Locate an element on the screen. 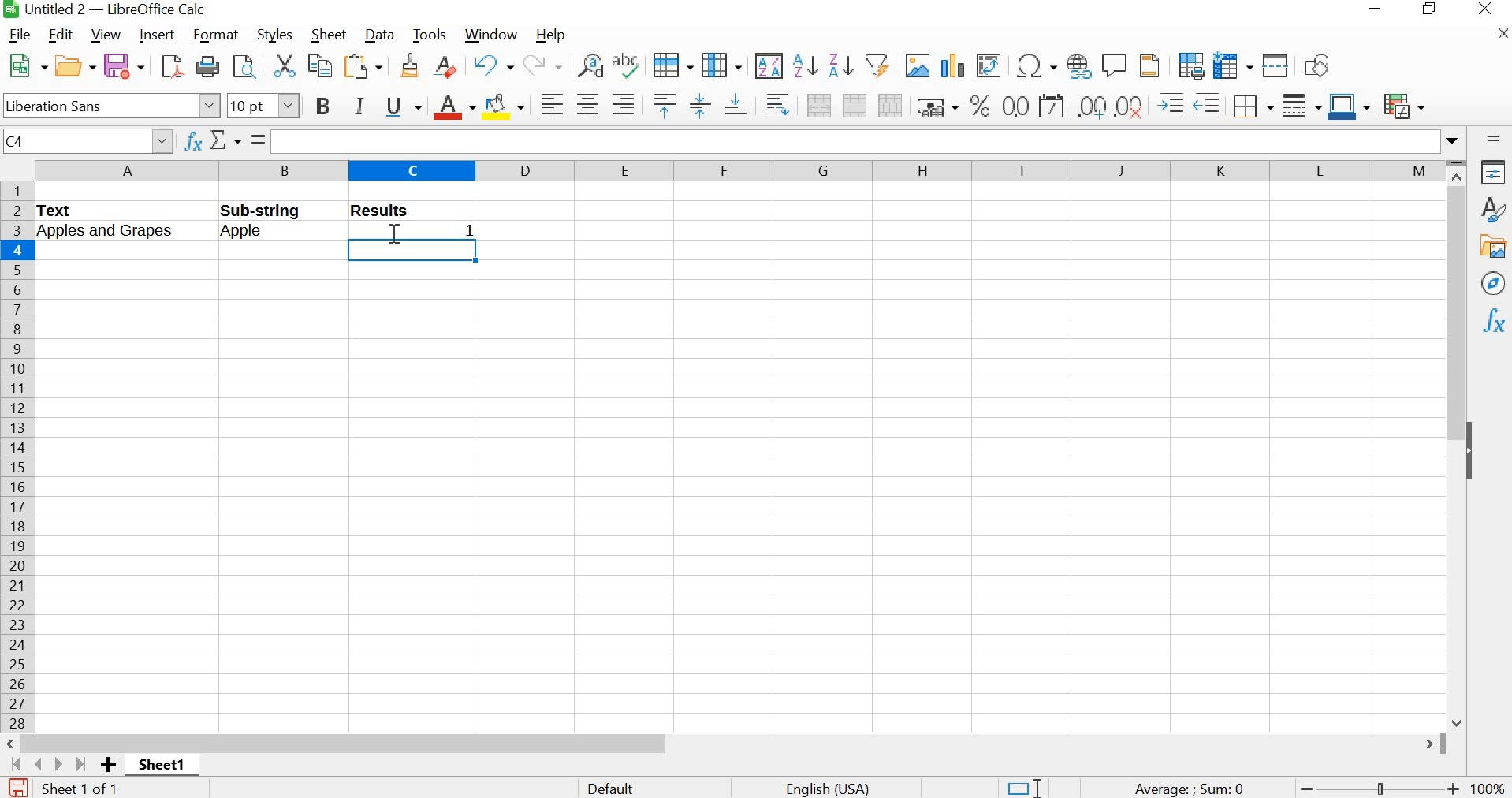  SELECTED CELL AFTER PRESSING ENTER is located at coordinates (414, 250).